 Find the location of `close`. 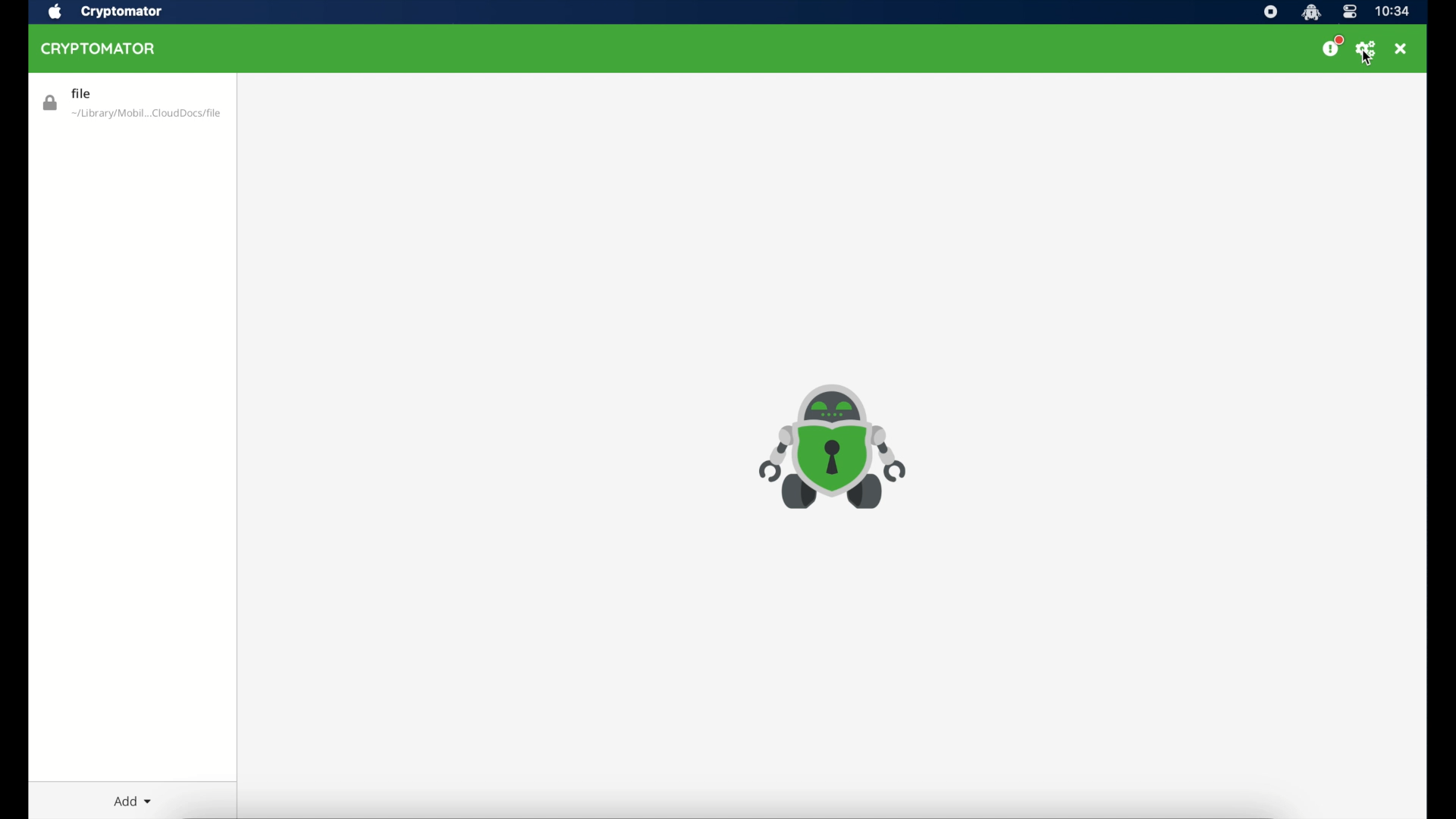

close is located at coordinates (1402, 48).